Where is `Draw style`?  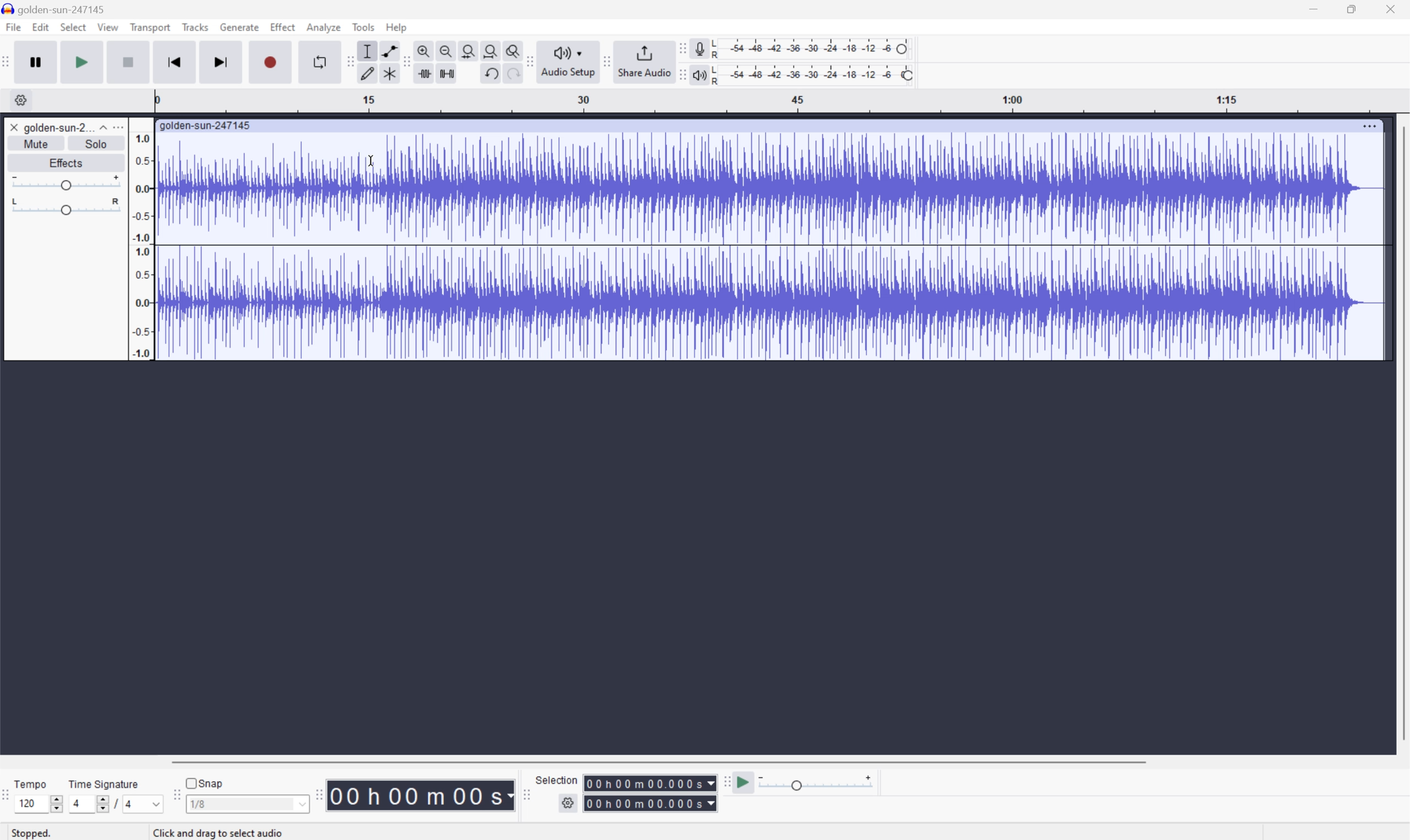
Draw style is located at coordinates (369, 72).